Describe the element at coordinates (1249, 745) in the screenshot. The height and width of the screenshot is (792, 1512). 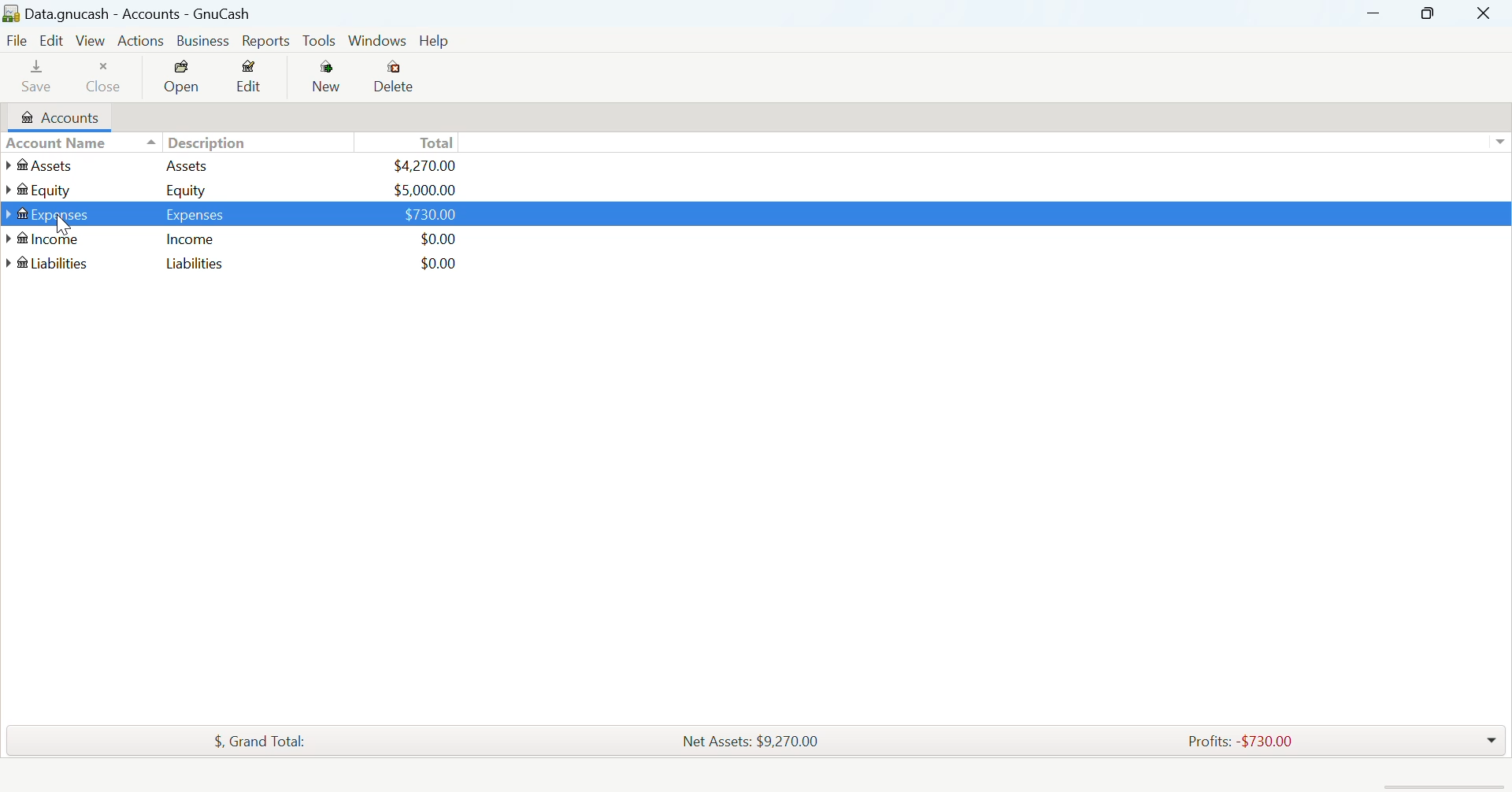
I see `Profits: -$730.00` at that location.